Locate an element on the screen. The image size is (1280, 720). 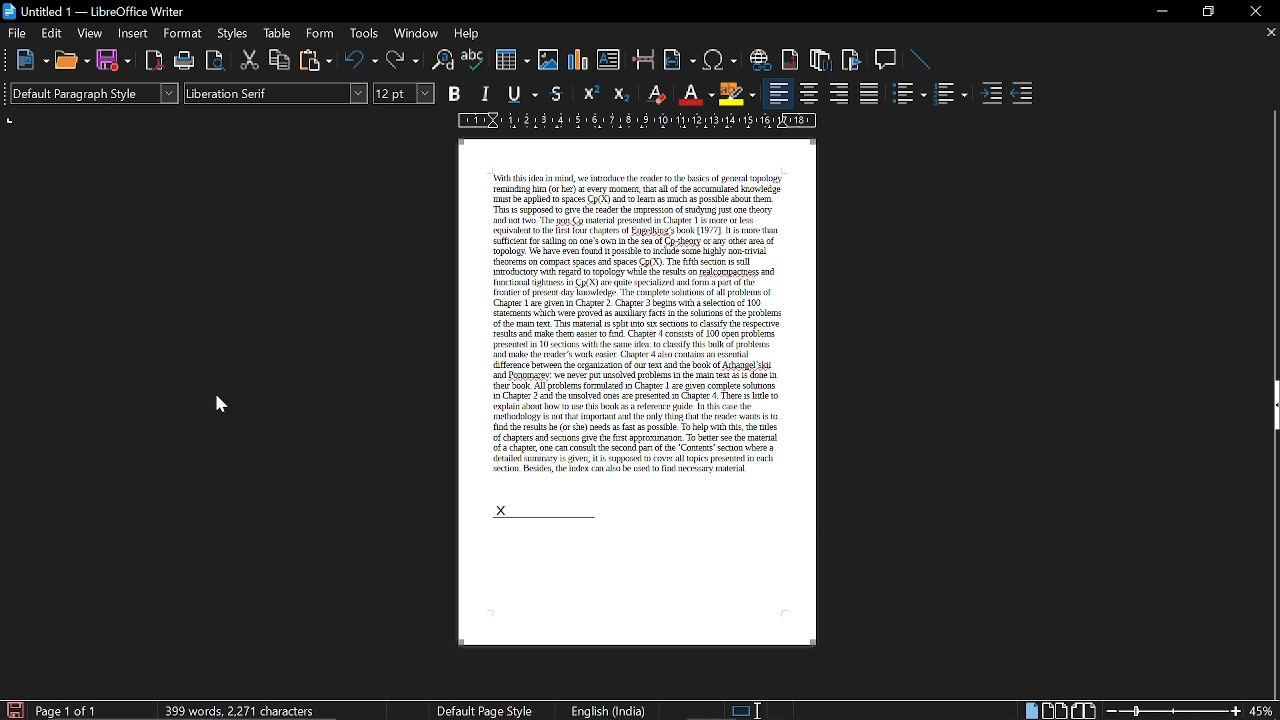
restore down is located at coordinates (1208, 12).